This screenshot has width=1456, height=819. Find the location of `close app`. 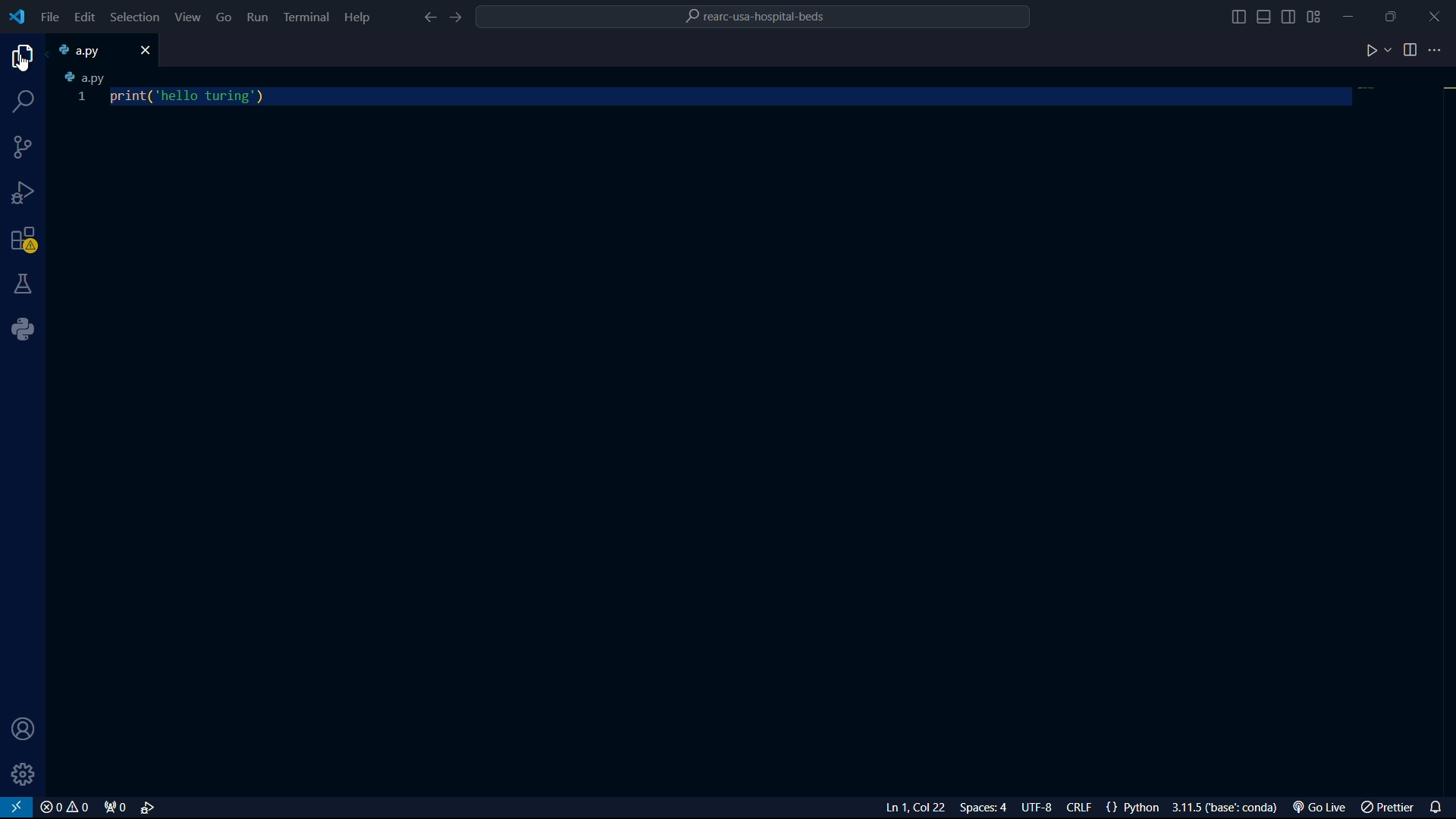

close app is located at coordinates (1434, 14).